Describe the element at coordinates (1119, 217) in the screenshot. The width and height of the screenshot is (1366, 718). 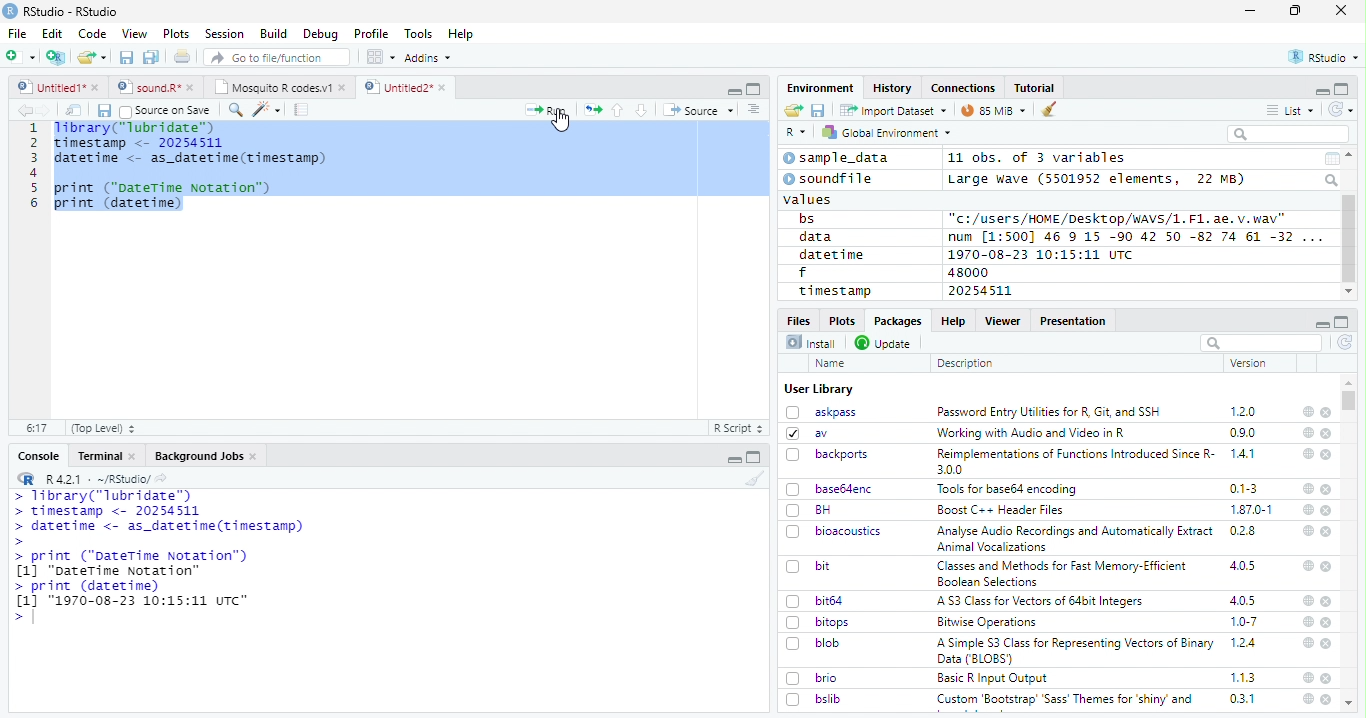
I see `"c:/users/HOME /Desktop/wWAVS/1.F1, ae. v.wav"` at that location.